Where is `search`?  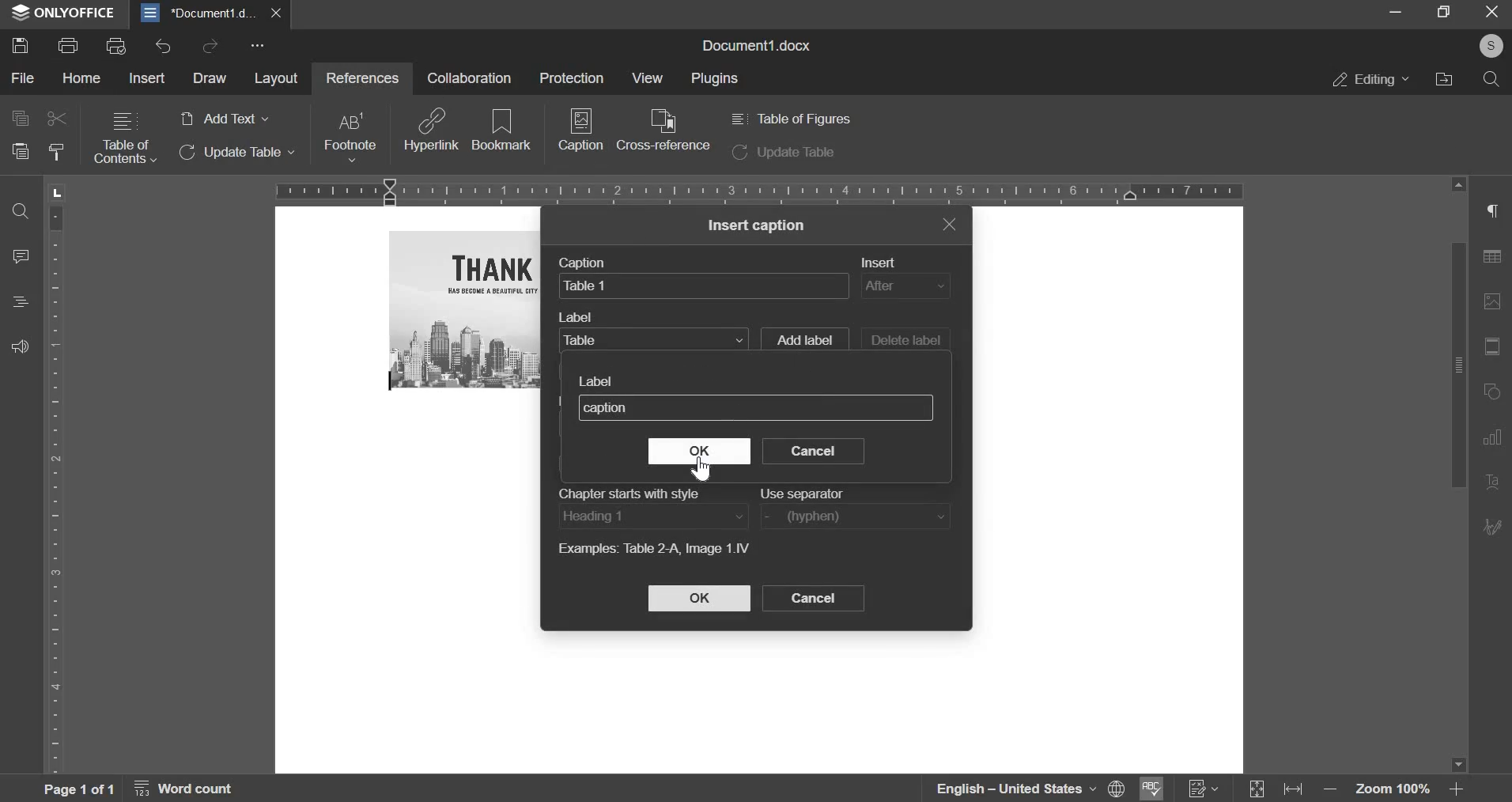 search is located at coordinates (1491, 79).